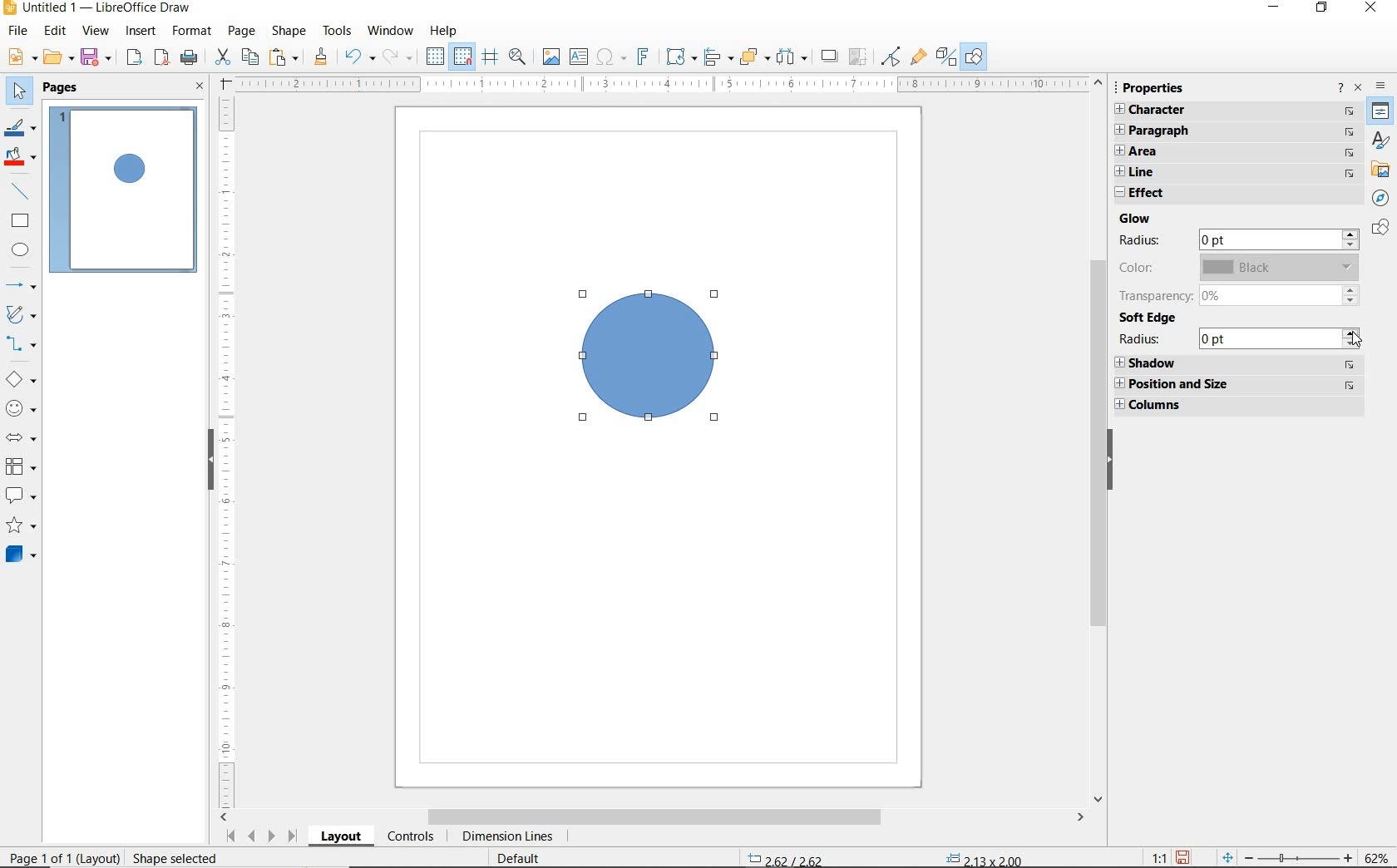  I want to click on navigate, so click(1351, 111).